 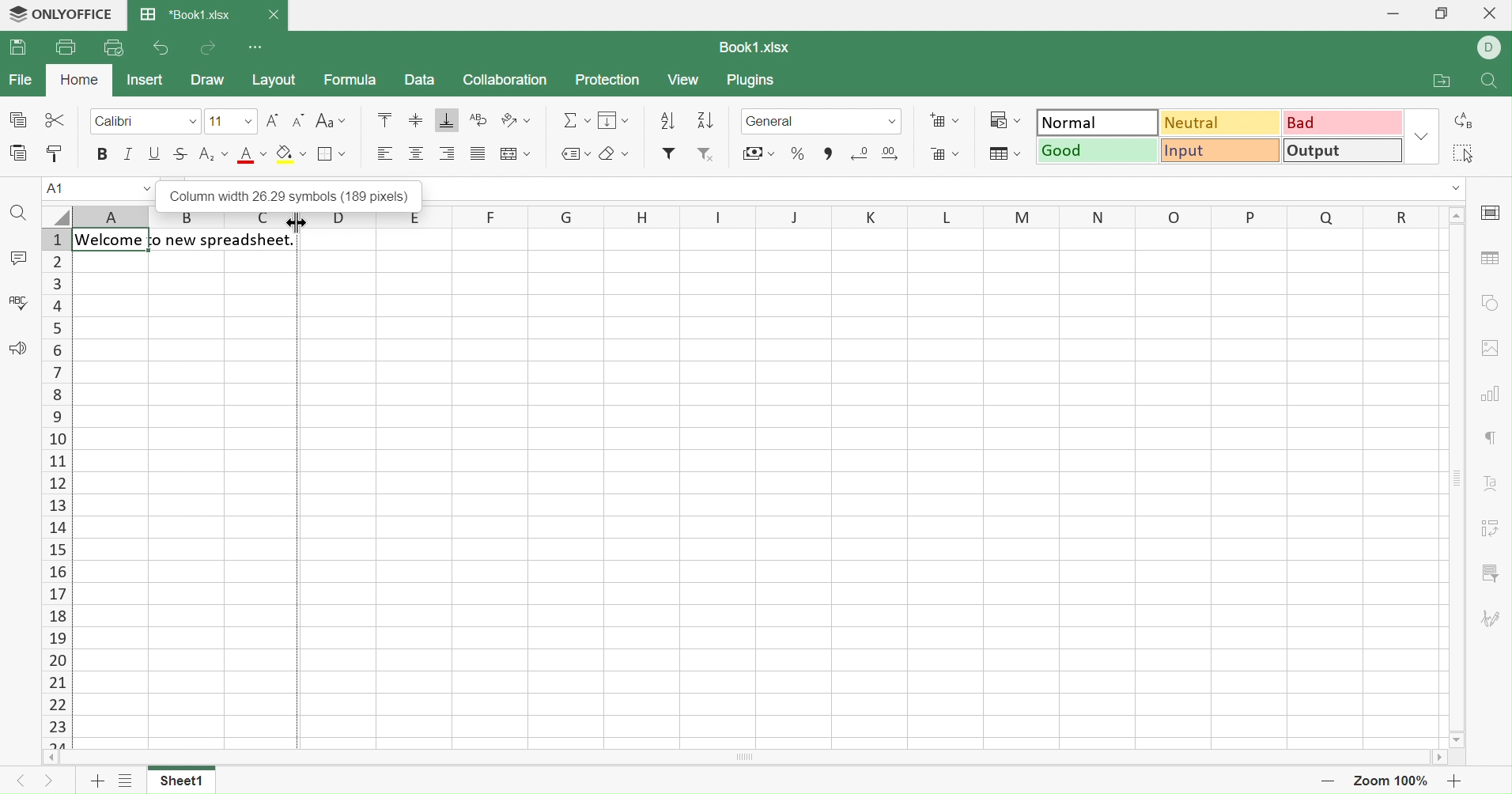 What do you see at coordinates (1495, 486) in the screenshot?
I see `Text Art settings` at bounding box center [1495, 486].